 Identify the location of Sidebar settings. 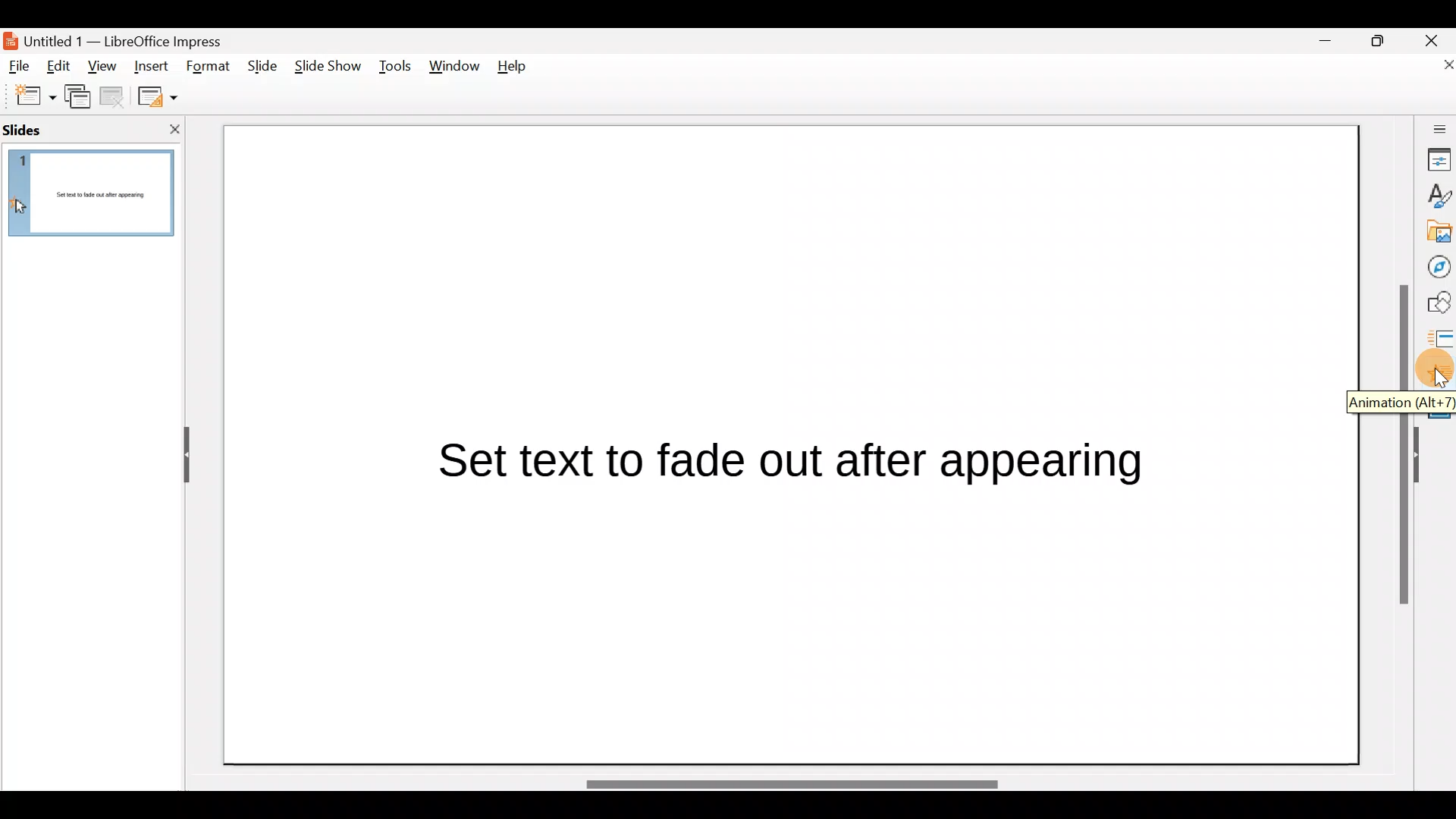
(1436, 129).